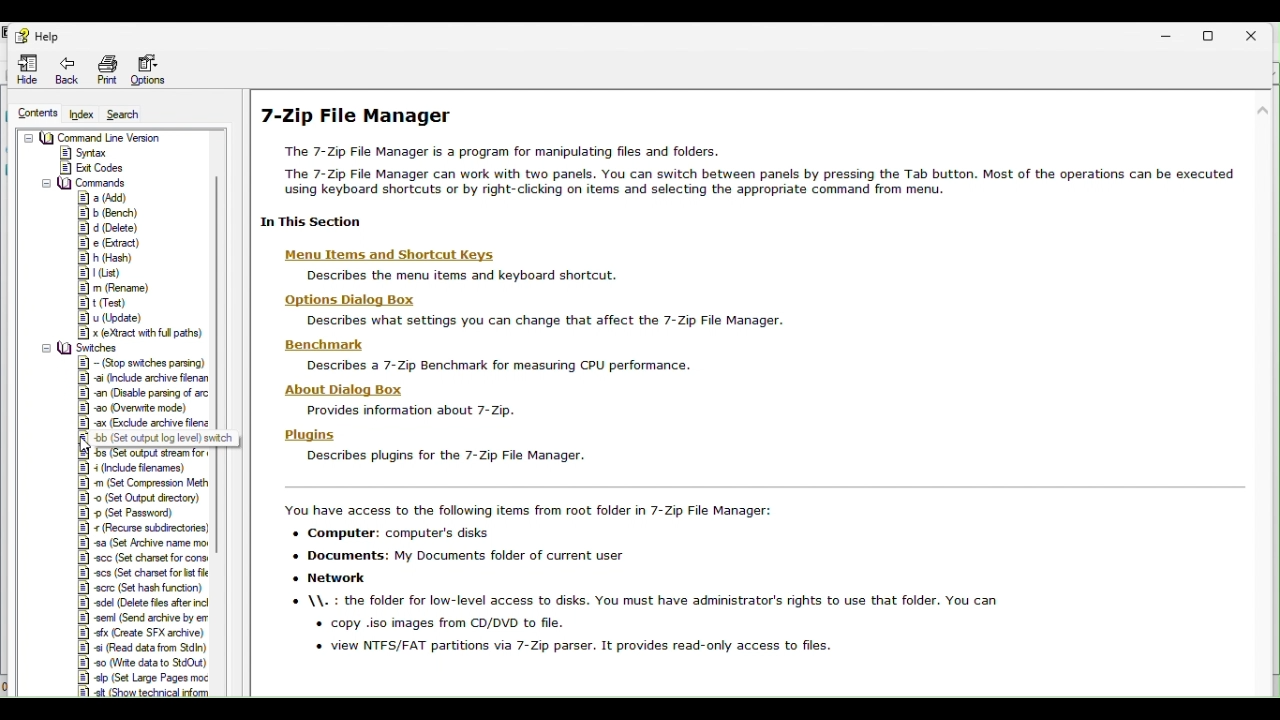 The width and height of the screenshot is (1280, 720). What do you see at coordinates (747, 150) in the screenshot?
I see `7-Zip File Manager
The 7-Zip File Manager is a program for manipulating files and folders.
The 7-Zip File Manager can work with two panels. You can switch between panels by pressing the Tab button. Most of the operations can be executed
Sailne Sisaieliedunstunteay Be dii-oliaiie sil Sines ma enfbaiion: Ser tissue Gammmuad Sous tut:` at bounding box center [747, 150].